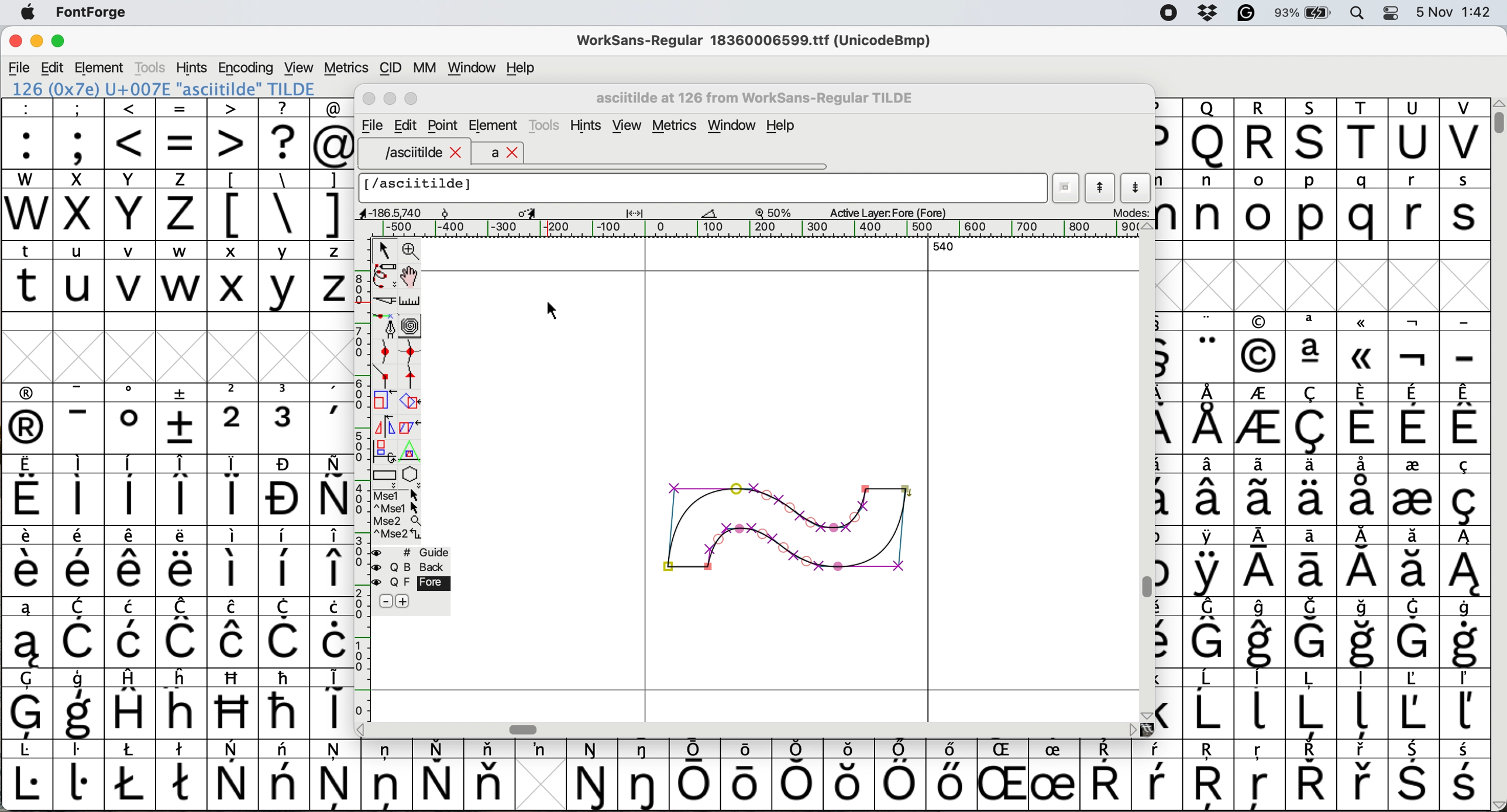  What do you see at coordinates (1365, 634) in the screenshot?
I see `symbol` at bounding box center [1365, 634].